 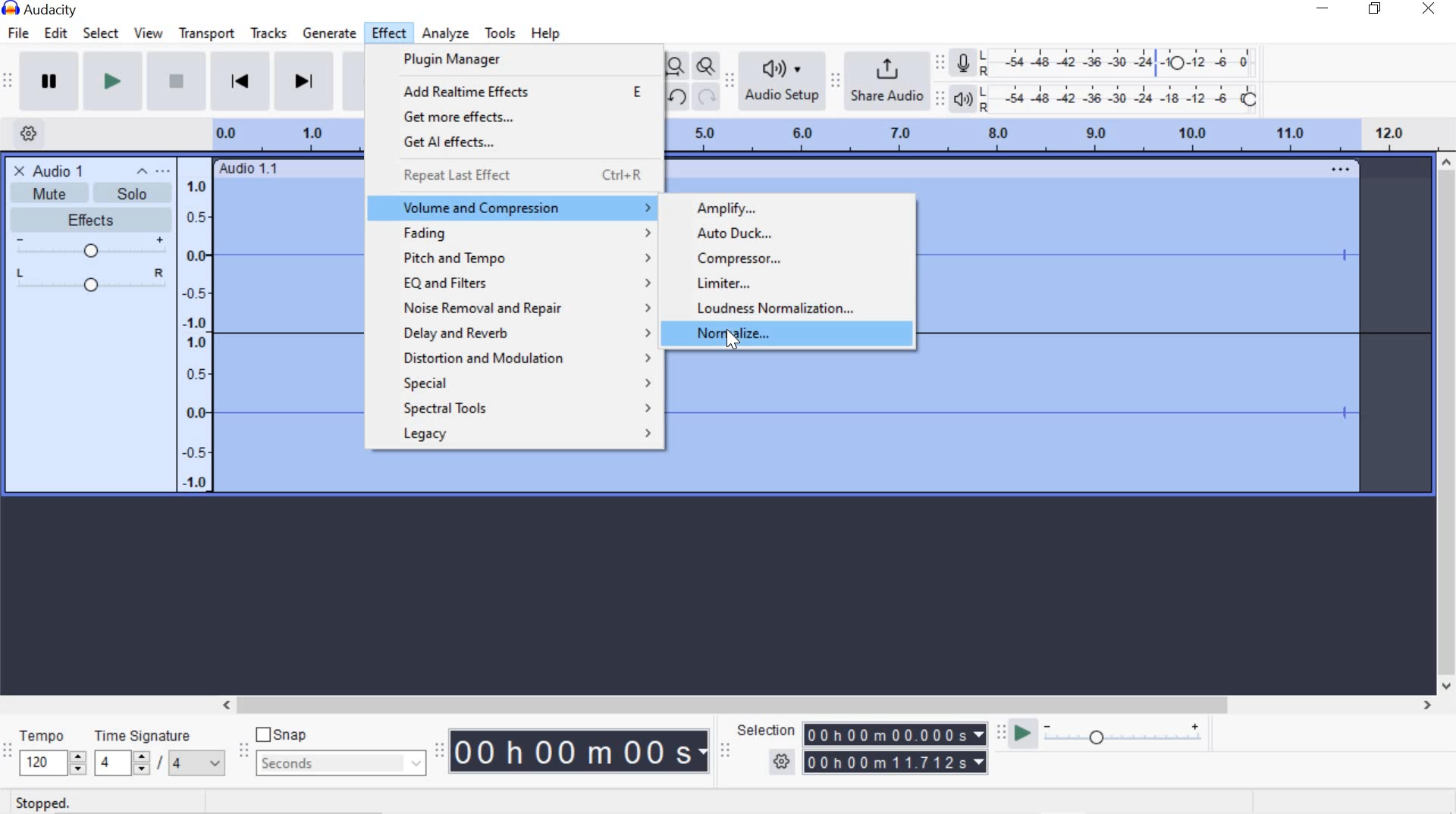 What do you see at coordinates (965, 99) in the screenshot?
I see `Playback meter` at bounding box center [965, 99].